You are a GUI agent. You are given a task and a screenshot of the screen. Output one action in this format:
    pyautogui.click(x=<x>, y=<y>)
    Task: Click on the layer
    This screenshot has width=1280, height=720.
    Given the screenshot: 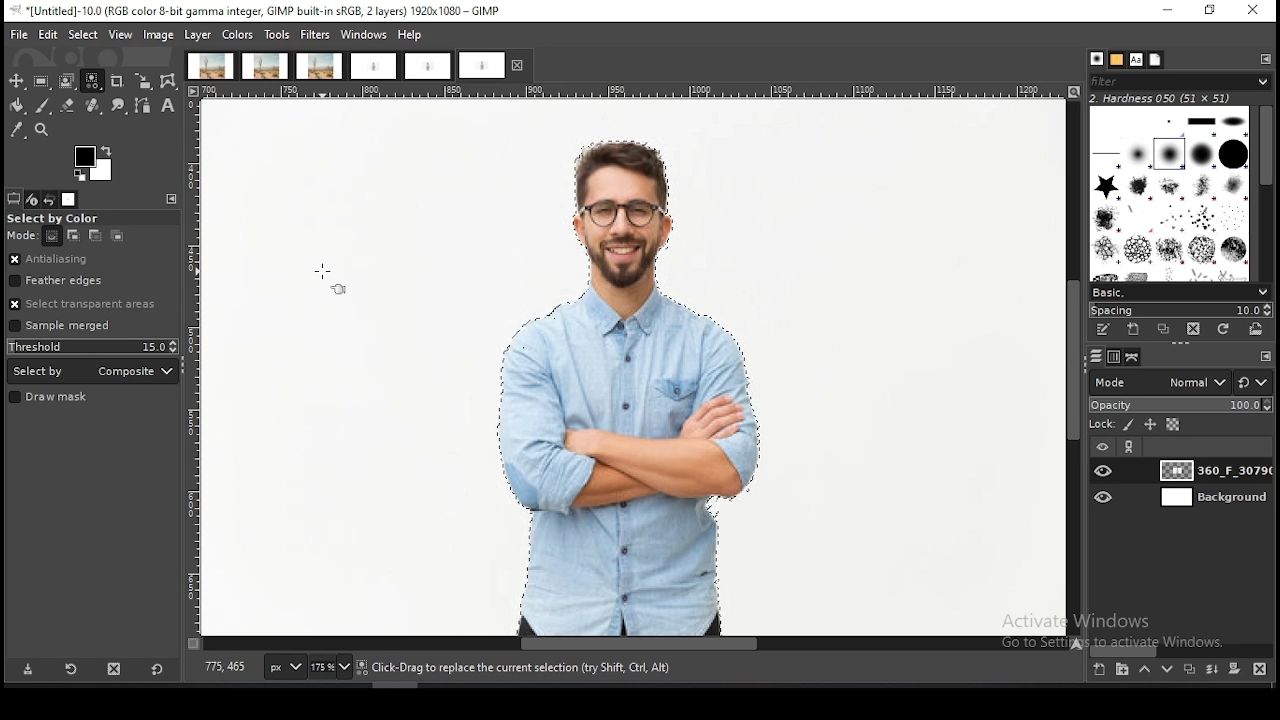 What is the action you would take?
    pyautogui.click(x=1212, y=497)
    